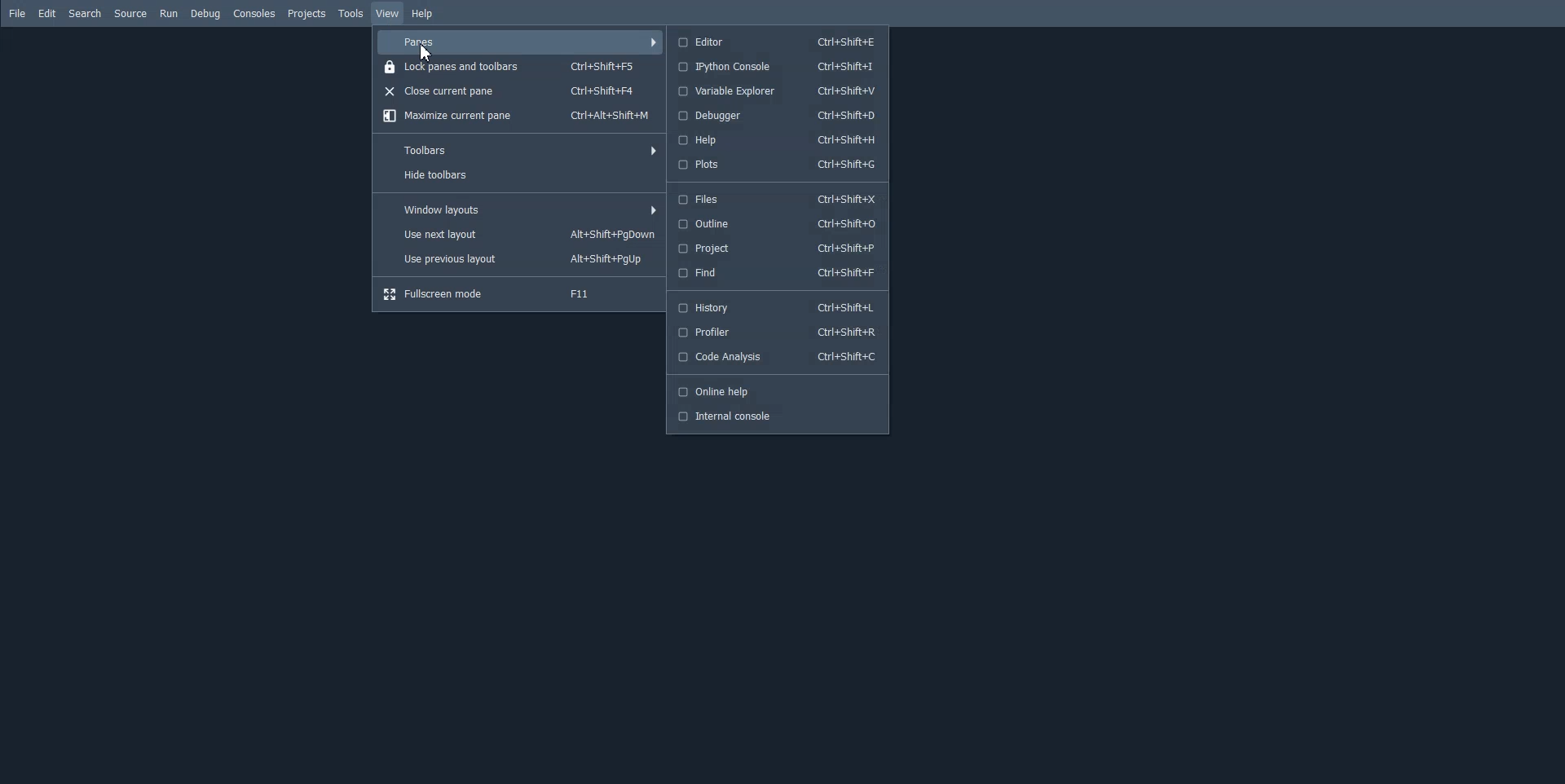 This screenshot has width=1565, height=784. Describe the element at coordinates (518, 65) in the screenshot. I see `Lock panes and toolbars` at that location.